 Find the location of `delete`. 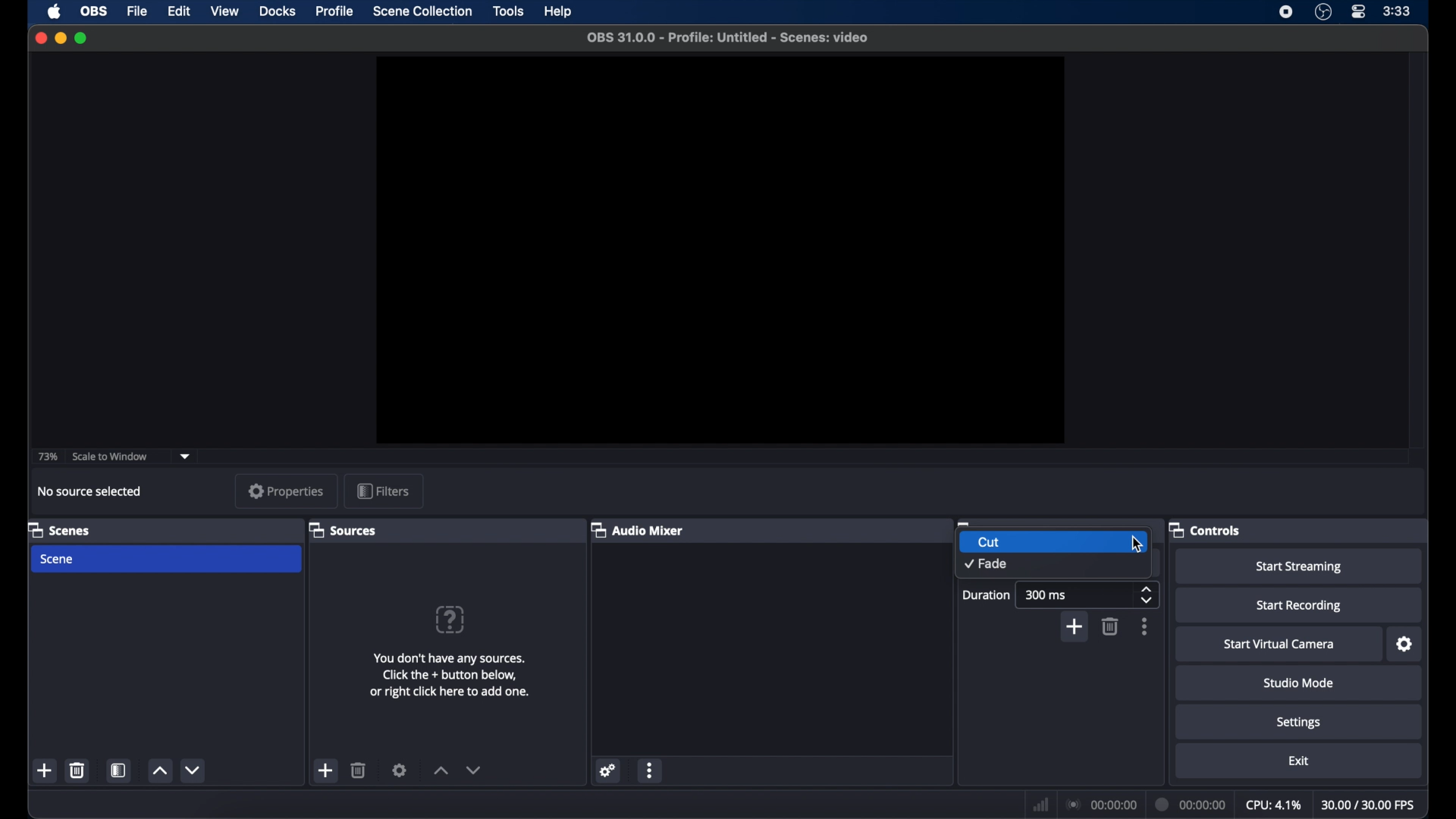

delete is located at coordinates (359, 770).